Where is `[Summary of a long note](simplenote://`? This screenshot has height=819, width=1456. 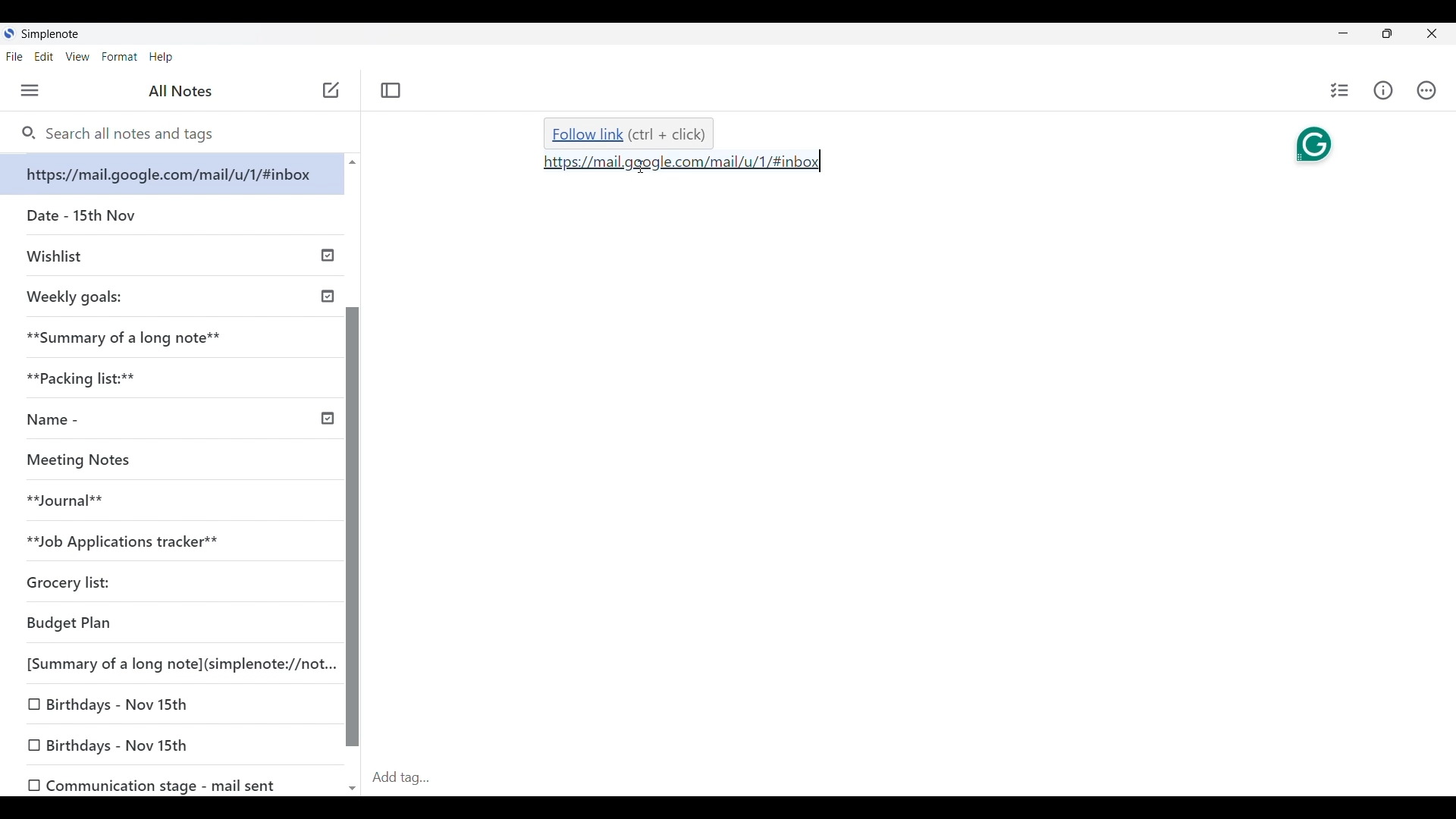
[Summary of a long note](simplenote:// is located at coordinates (181, 664).